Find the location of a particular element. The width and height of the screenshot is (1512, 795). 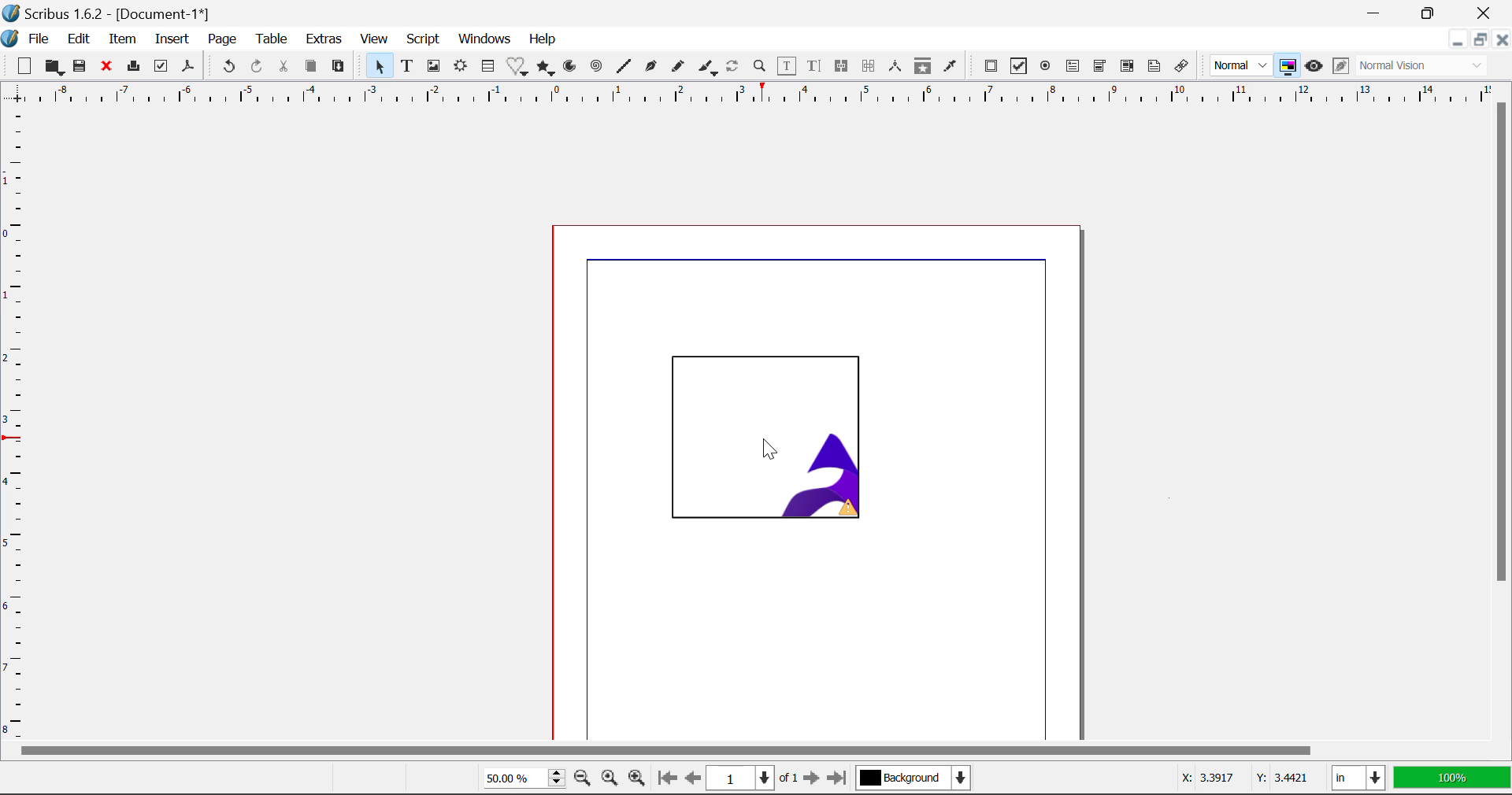

Insert is located at coordinates (173, 40).